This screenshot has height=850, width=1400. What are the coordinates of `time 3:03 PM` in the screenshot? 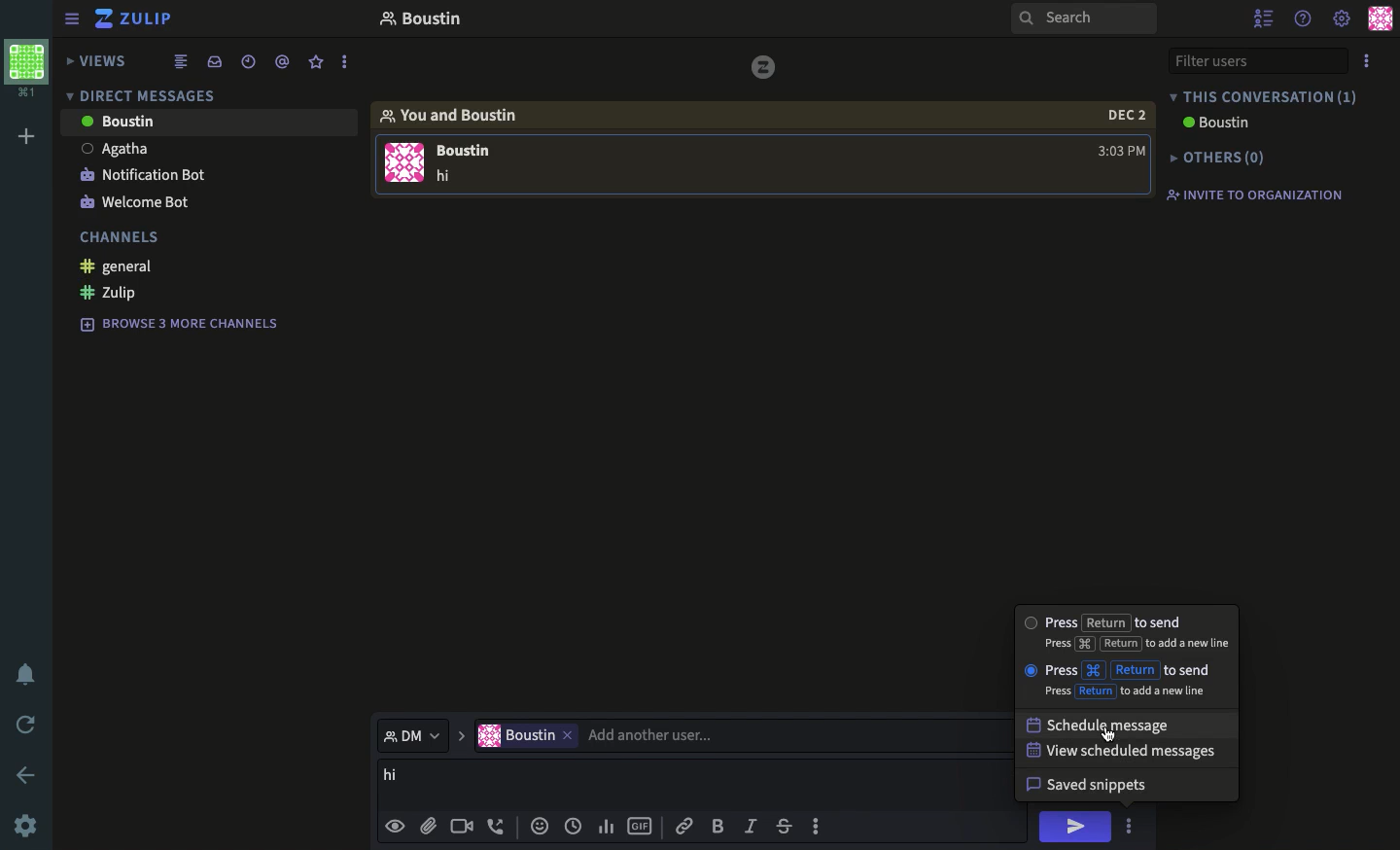 It's located at (1116, 151).